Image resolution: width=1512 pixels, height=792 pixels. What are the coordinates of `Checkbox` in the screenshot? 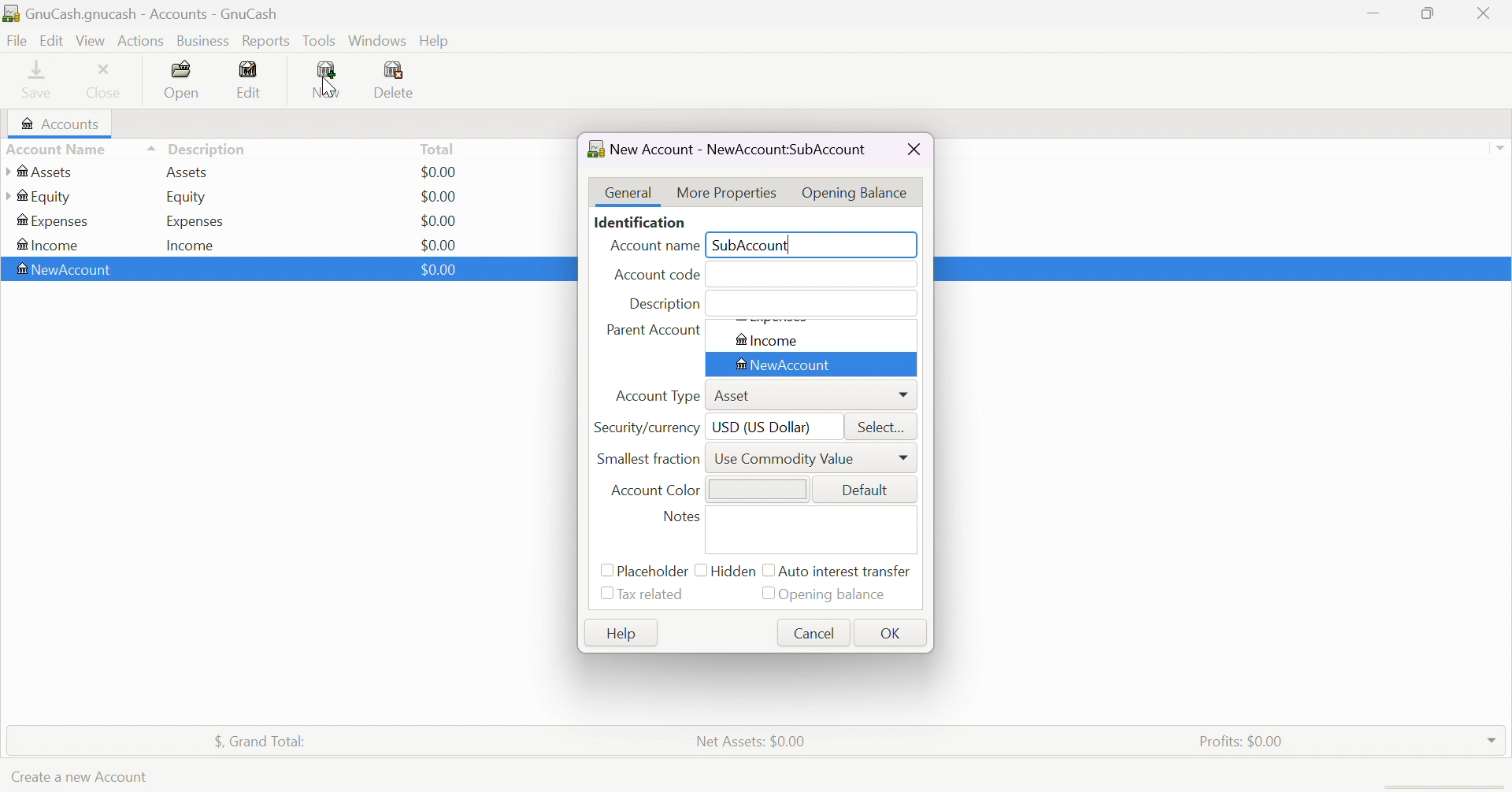 It's located at (766, 572).